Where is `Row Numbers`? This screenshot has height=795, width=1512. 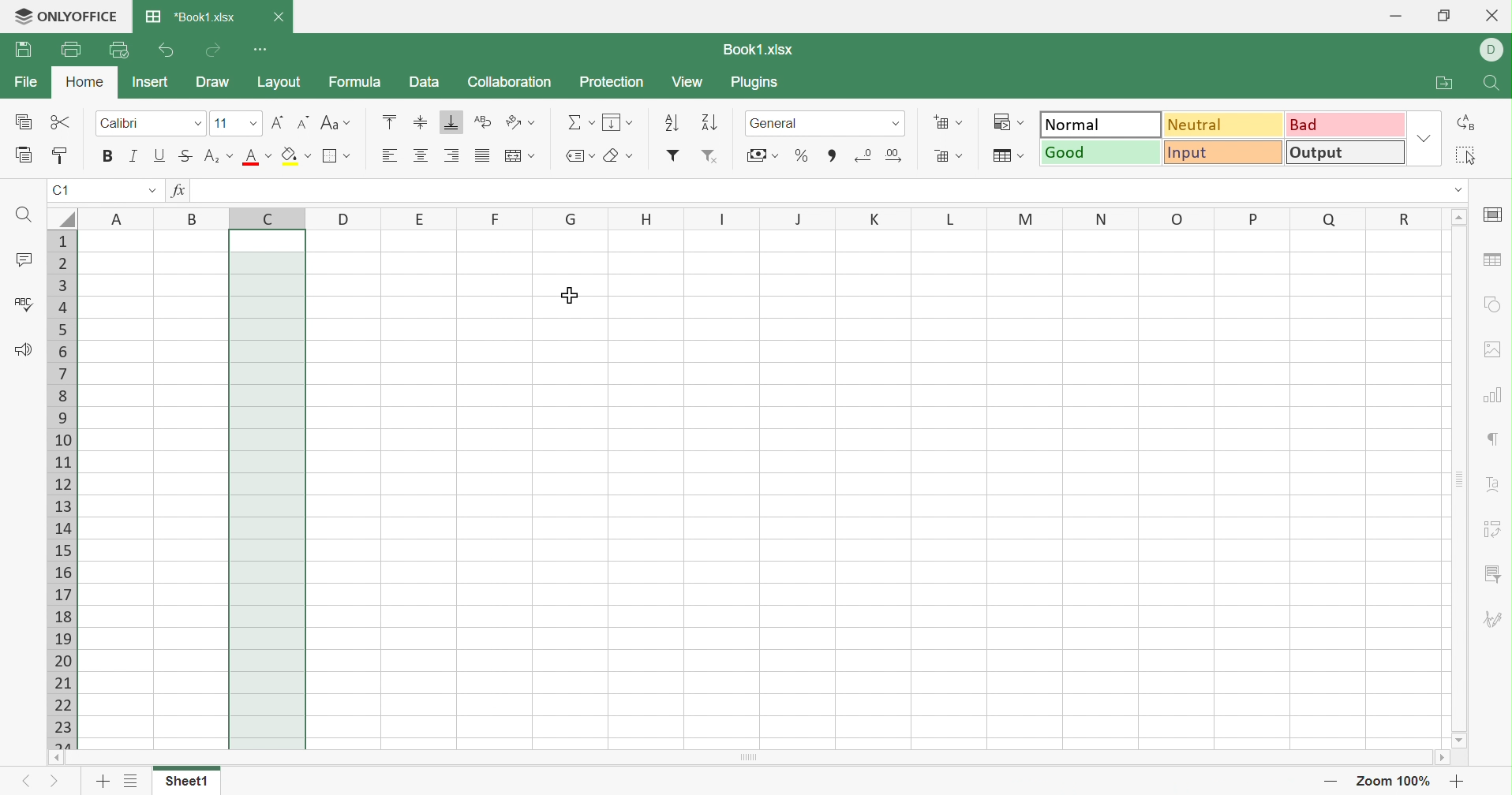 Row Numbers is located at coordinates (63, 487).